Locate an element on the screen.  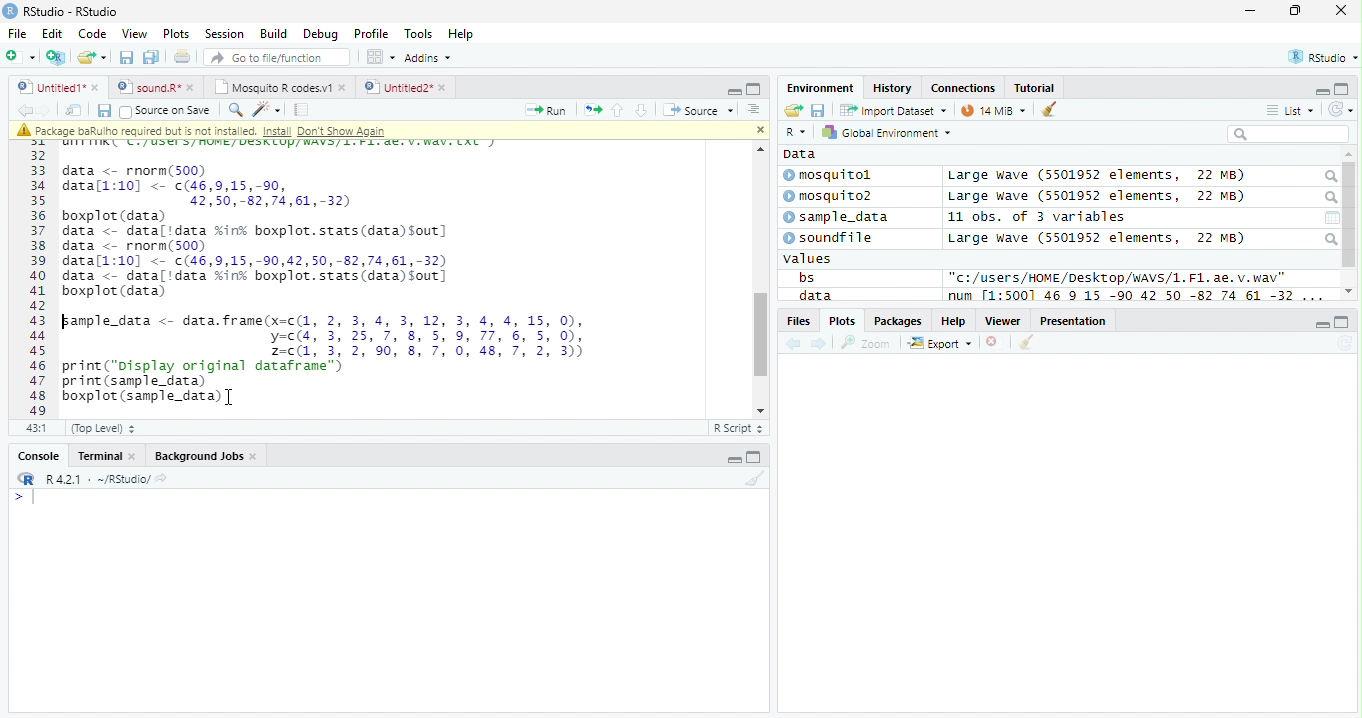
Untitied1* is located at coordinates (58, 87).